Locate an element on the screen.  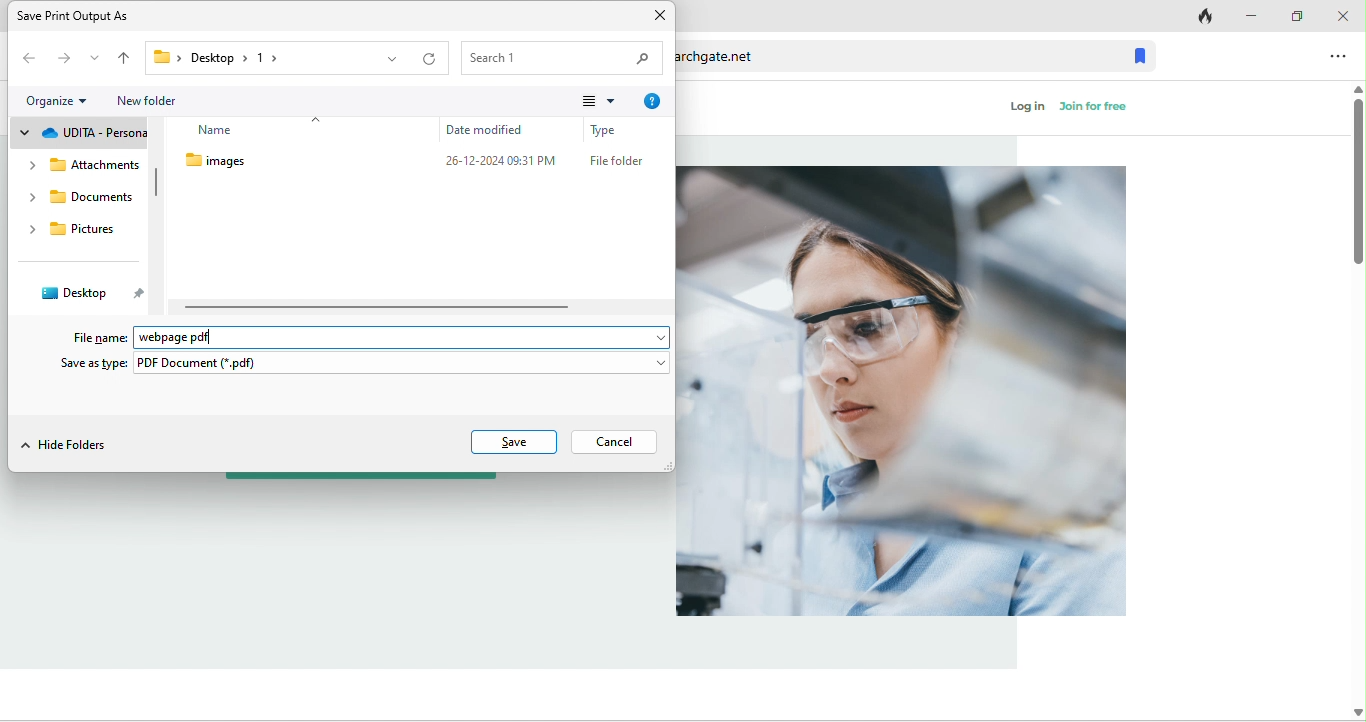
File Folder is located at coordinates (616, 163).